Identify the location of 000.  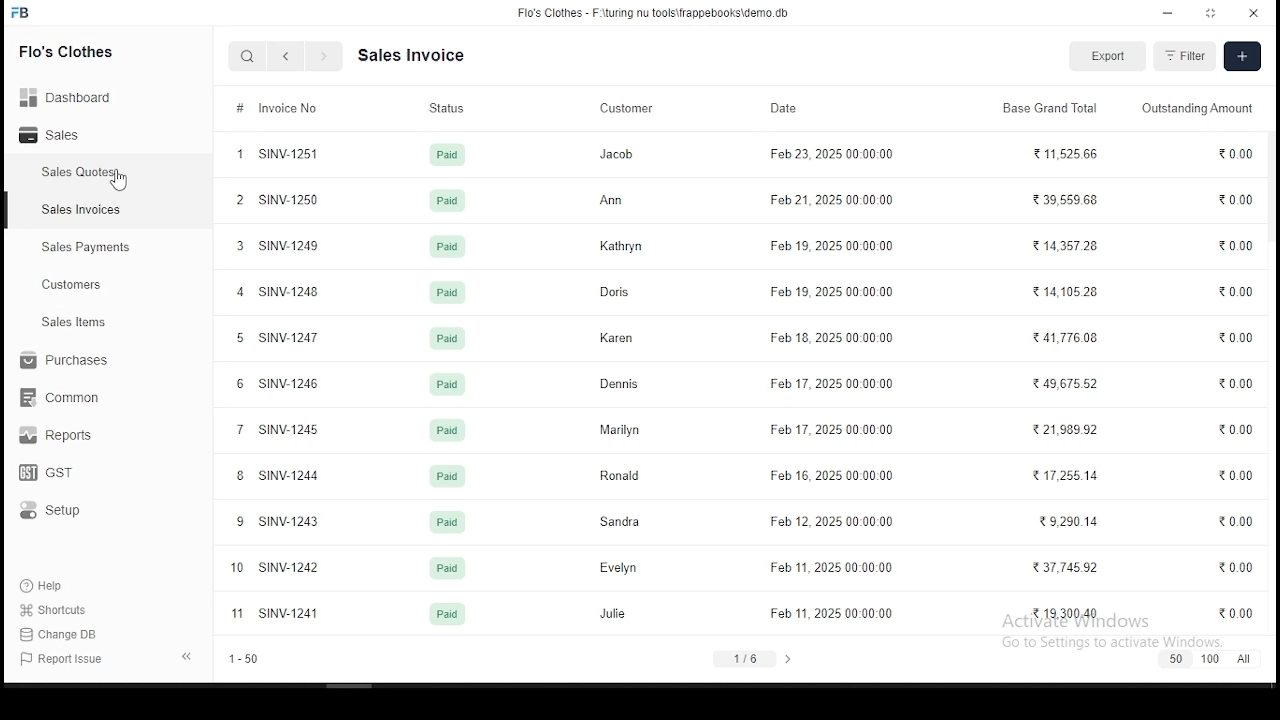
(1235, 613).